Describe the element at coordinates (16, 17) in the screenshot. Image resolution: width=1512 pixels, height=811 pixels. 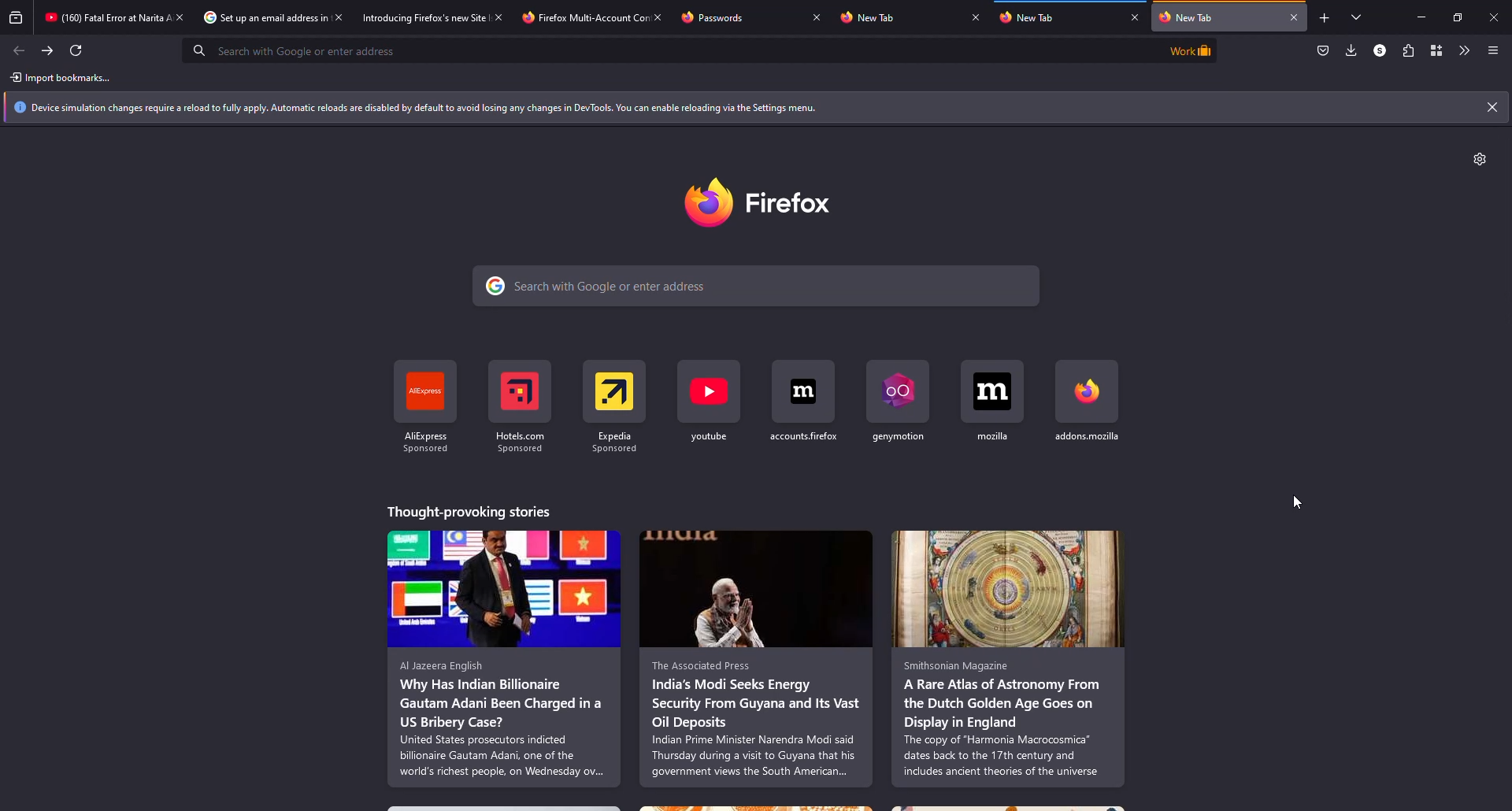
I see `view recent` at that location.